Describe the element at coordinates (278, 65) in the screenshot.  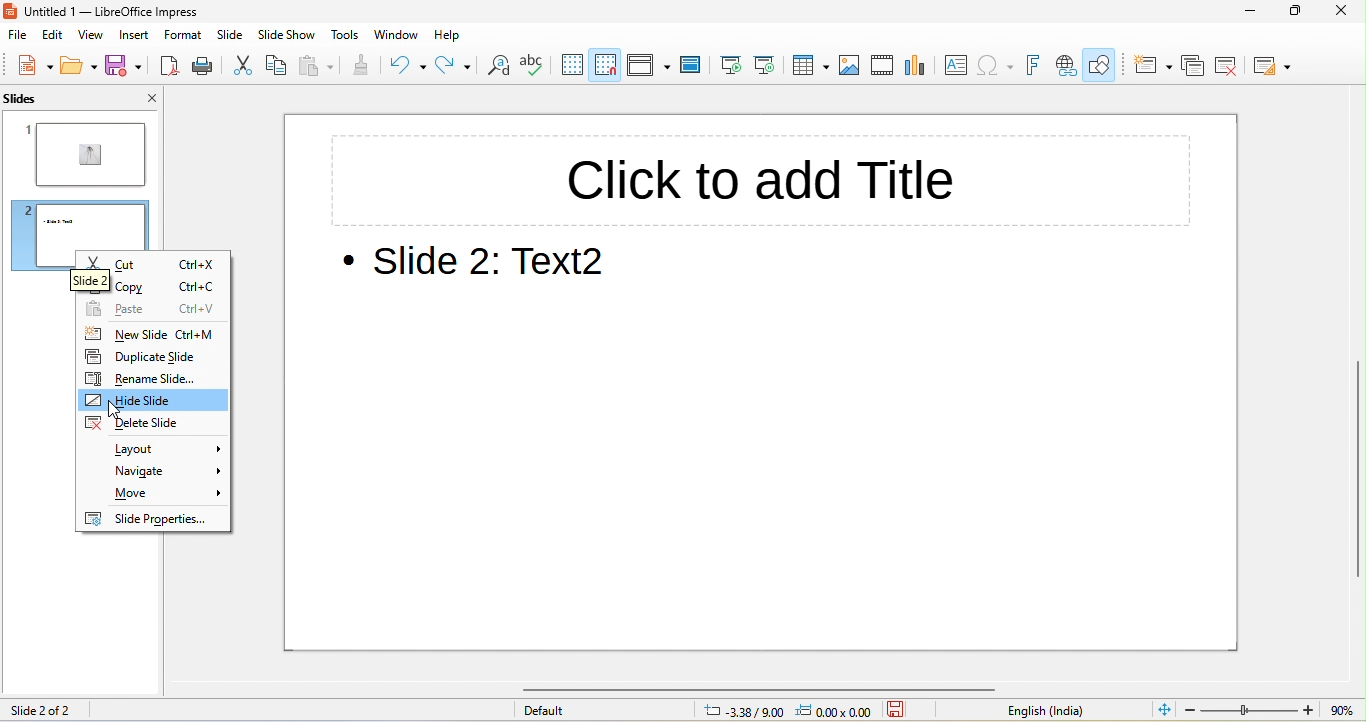
I see `copy` at that location.